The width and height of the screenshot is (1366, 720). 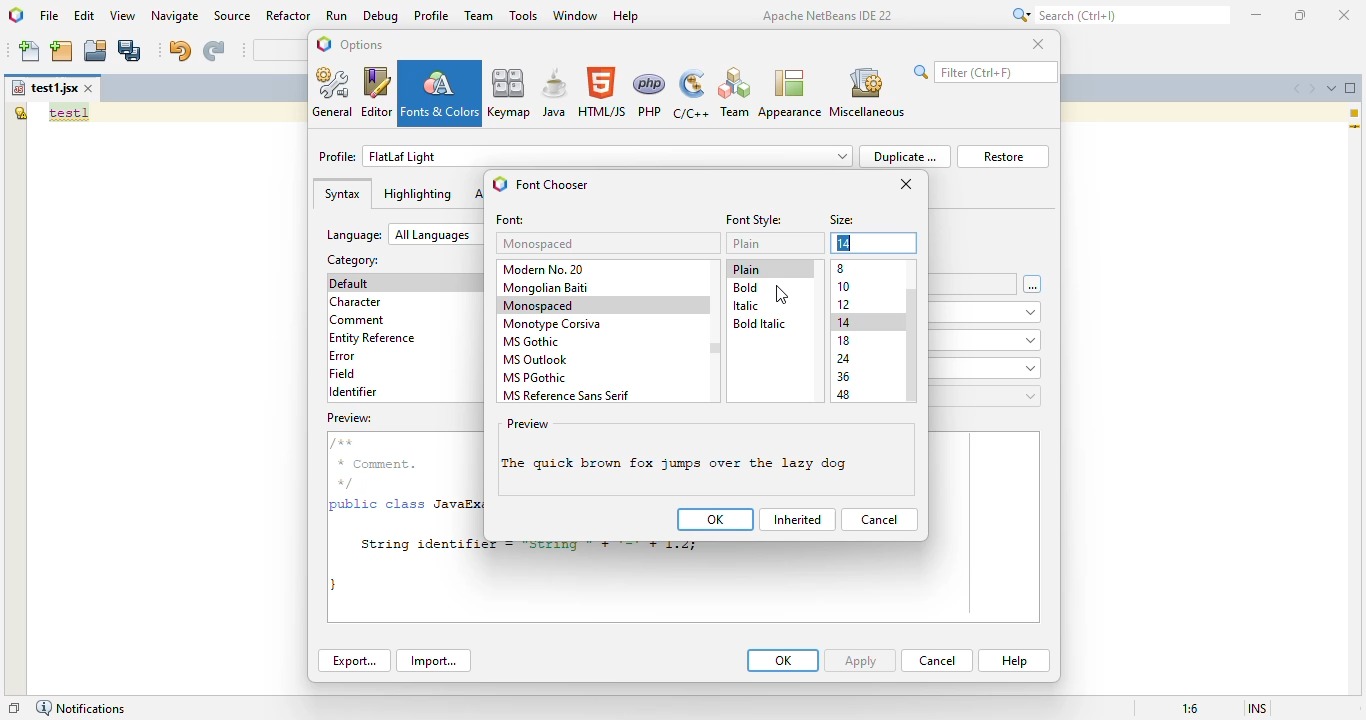 What do you see at coordinates (533, 341) in the screenshot?
I see `MS gothic` at bounding box center [533, 341].